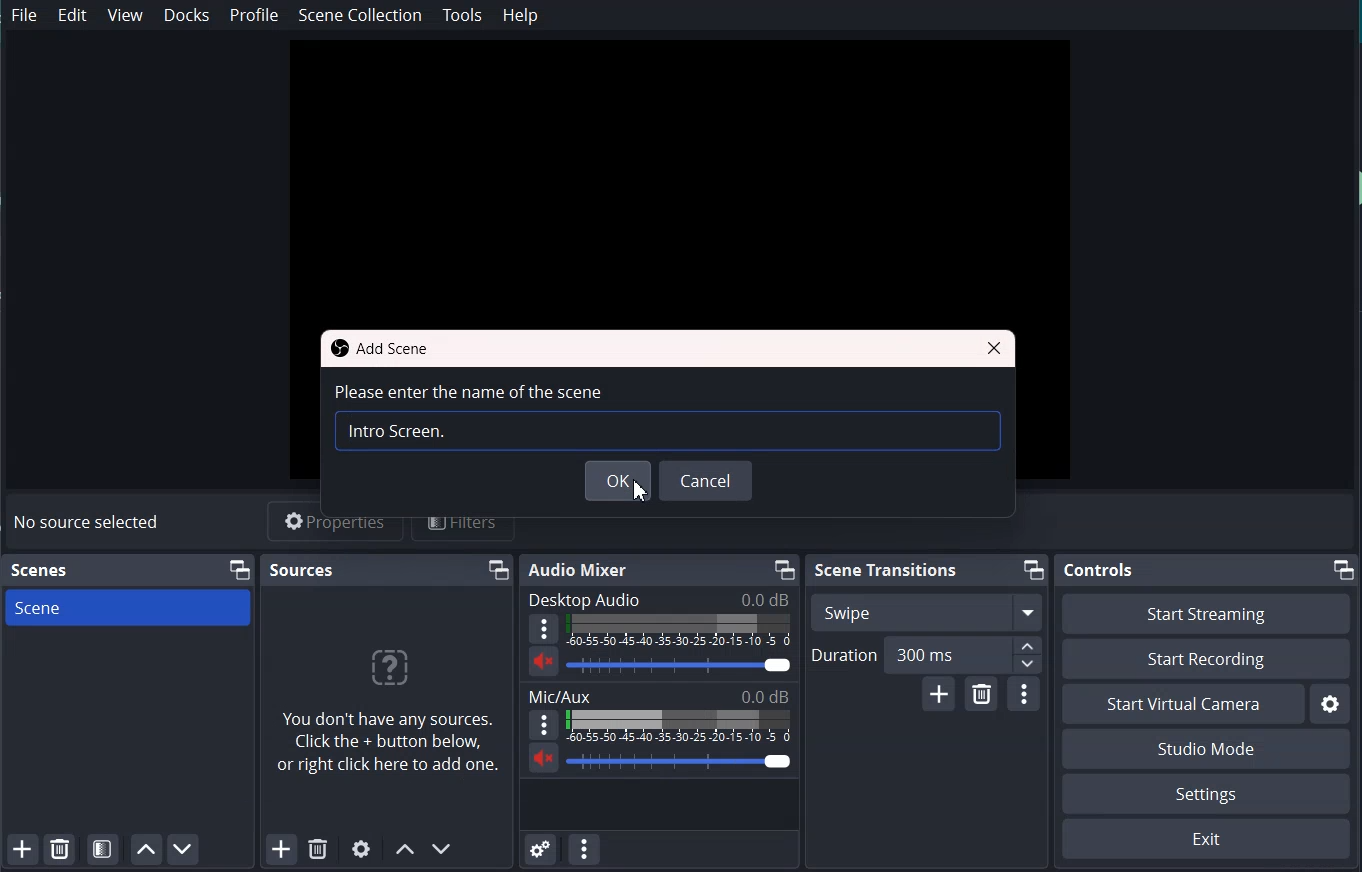 This screenshot has width=1362, height=872. I want to click on Scene Transition, so click(887, 571).